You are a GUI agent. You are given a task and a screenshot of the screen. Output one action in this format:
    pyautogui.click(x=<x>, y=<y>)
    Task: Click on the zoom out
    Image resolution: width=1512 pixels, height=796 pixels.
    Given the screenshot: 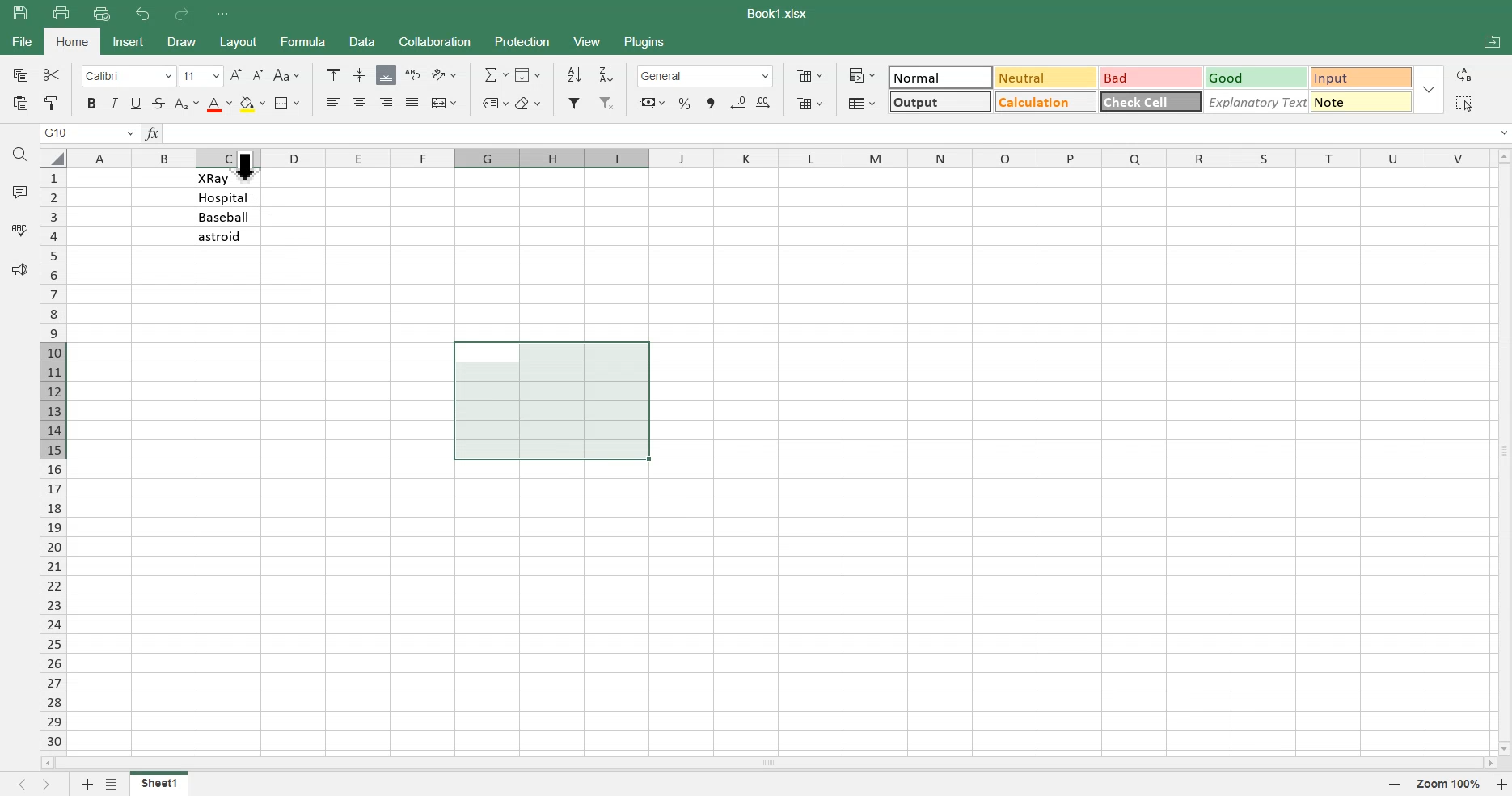 What is the action you would take?
    pyautogui.click(x=1399, y=785)
    